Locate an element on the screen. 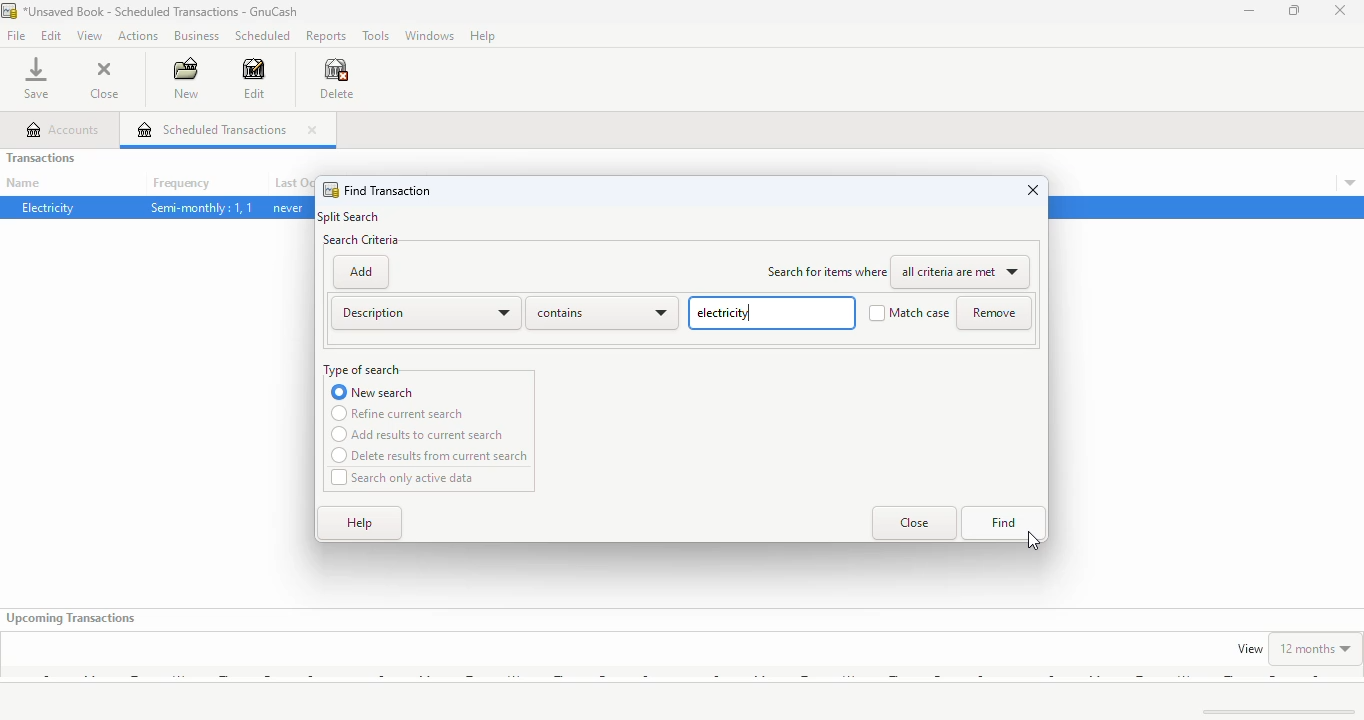 The width and height of the screenshot is (1364, 720). find is located at coordinates (1005, 523).